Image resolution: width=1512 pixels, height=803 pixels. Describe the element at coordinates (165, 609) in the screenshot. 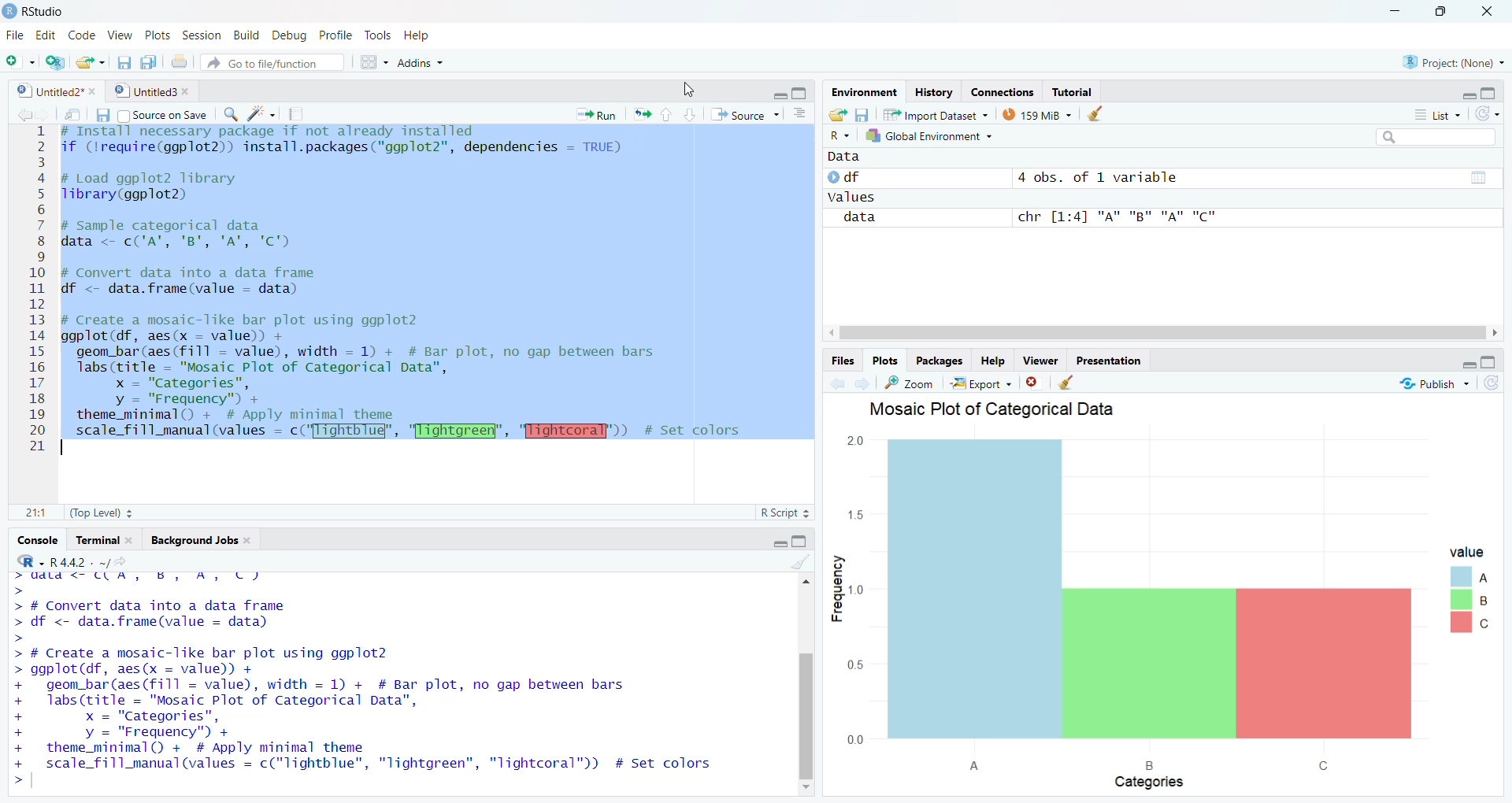

I see `> # Convert data into a data frame
> df <- data.frame(value = data)
>` at that location.